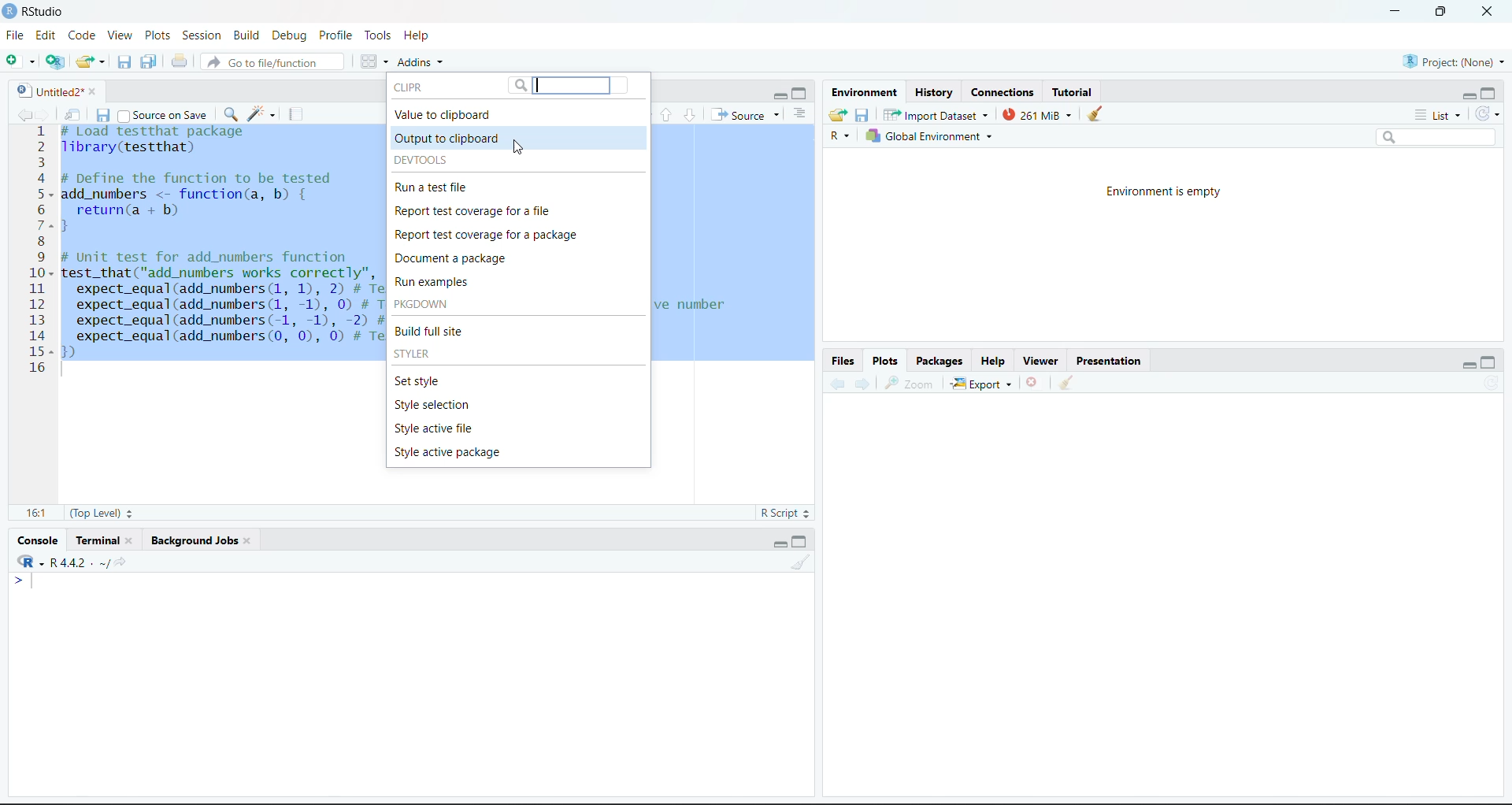 Image resolution: width=1512 pixels, height=805 pixels. Describe the element at coordinates (36, 539) in the screenshot. I see `Console` at that location.